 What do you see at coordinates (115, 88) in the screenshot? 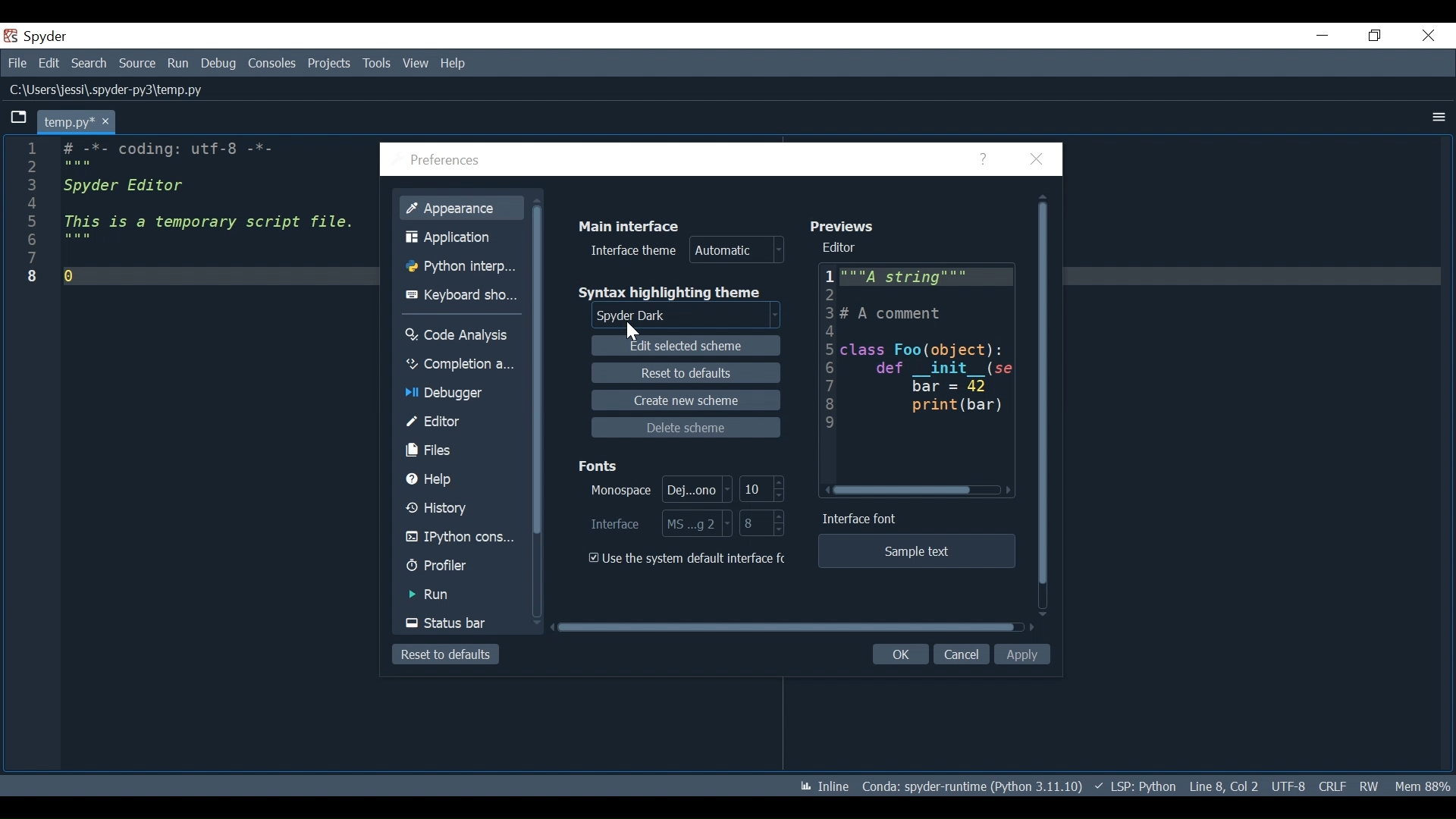
I see `File Path` at bounding box center [115, 88].